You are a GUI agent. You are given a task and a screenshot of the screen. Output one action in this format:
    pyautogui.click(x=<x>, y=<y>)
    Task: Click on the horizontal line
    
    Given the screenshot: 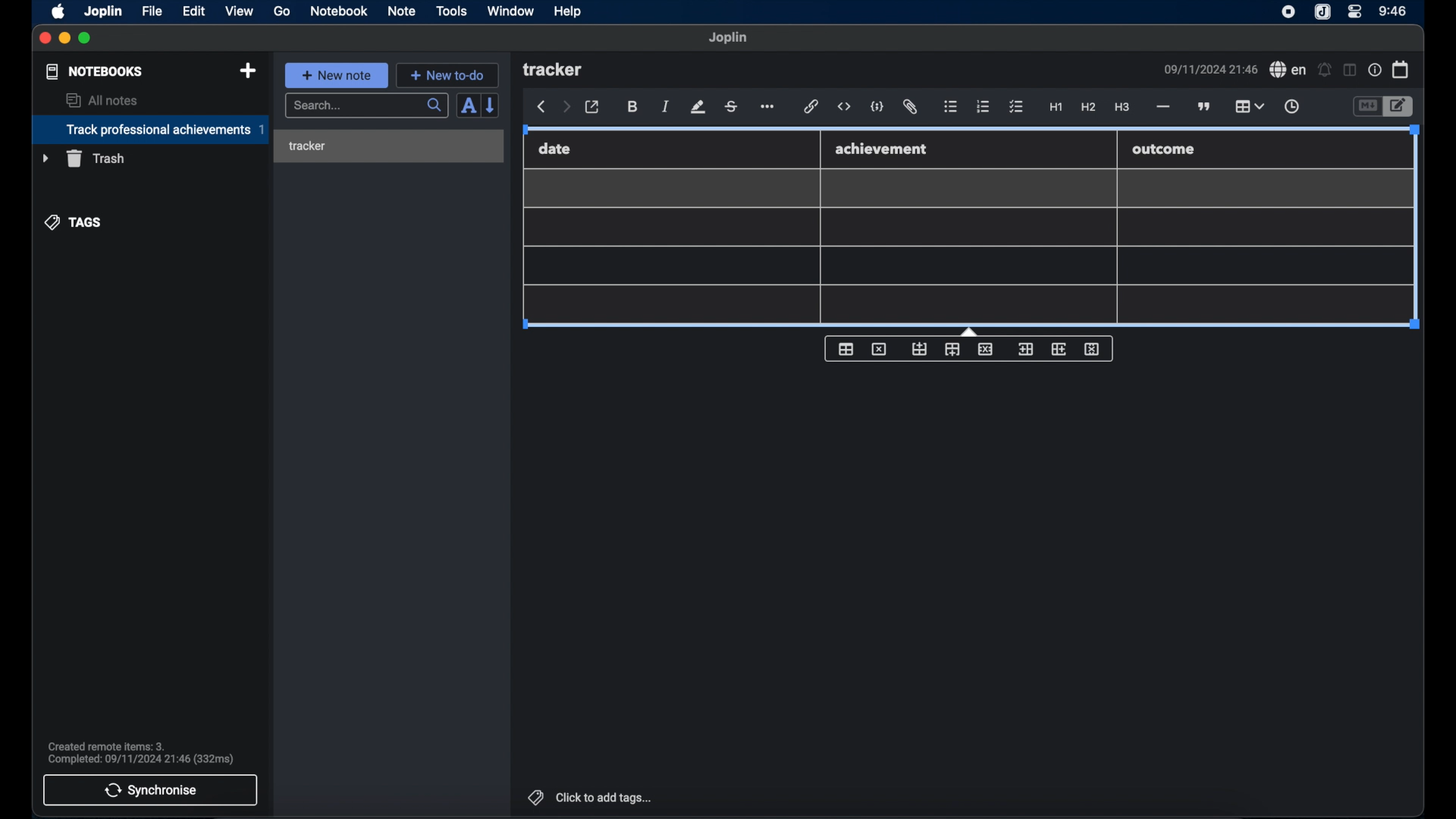 What is the action you would take?
    pyautogui.click(x=1163, y=107)
    